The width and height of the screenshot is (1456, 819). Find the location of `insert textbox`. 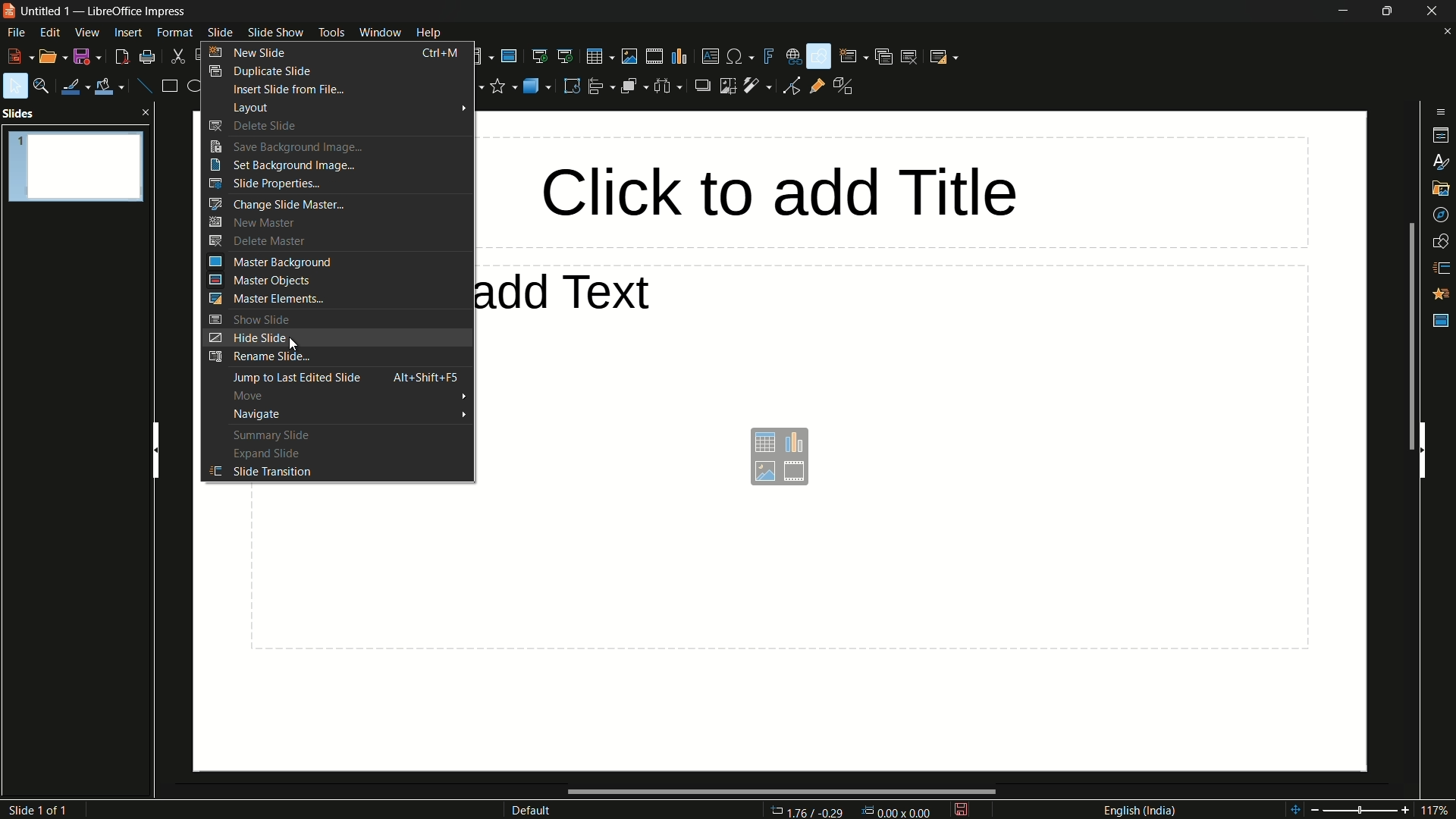

insert textbox is located at coordinates (710, 55).